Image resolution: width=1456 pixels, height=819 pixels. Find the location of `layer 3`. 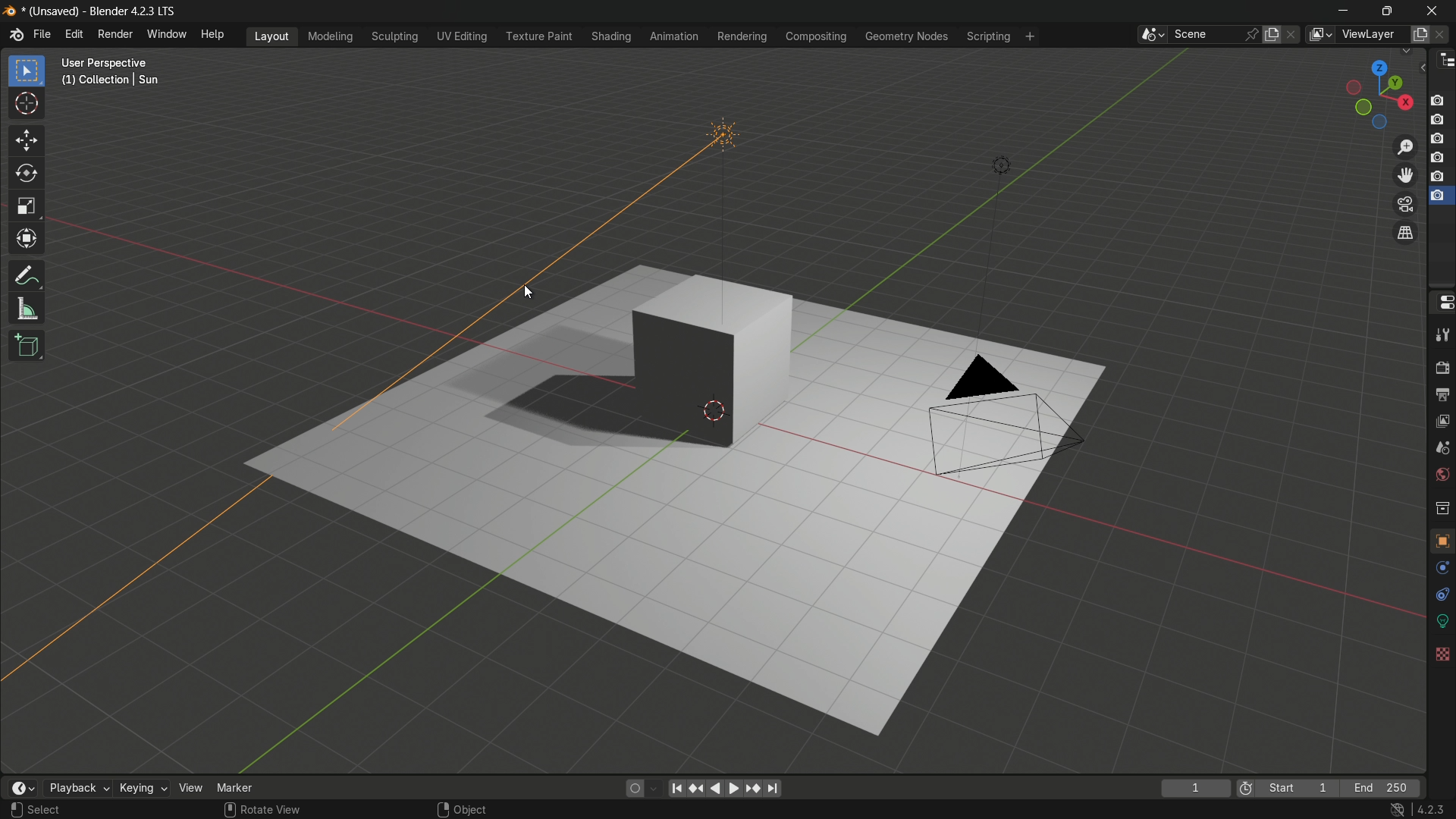

layer 3 is located at coordinates (1438, 138).